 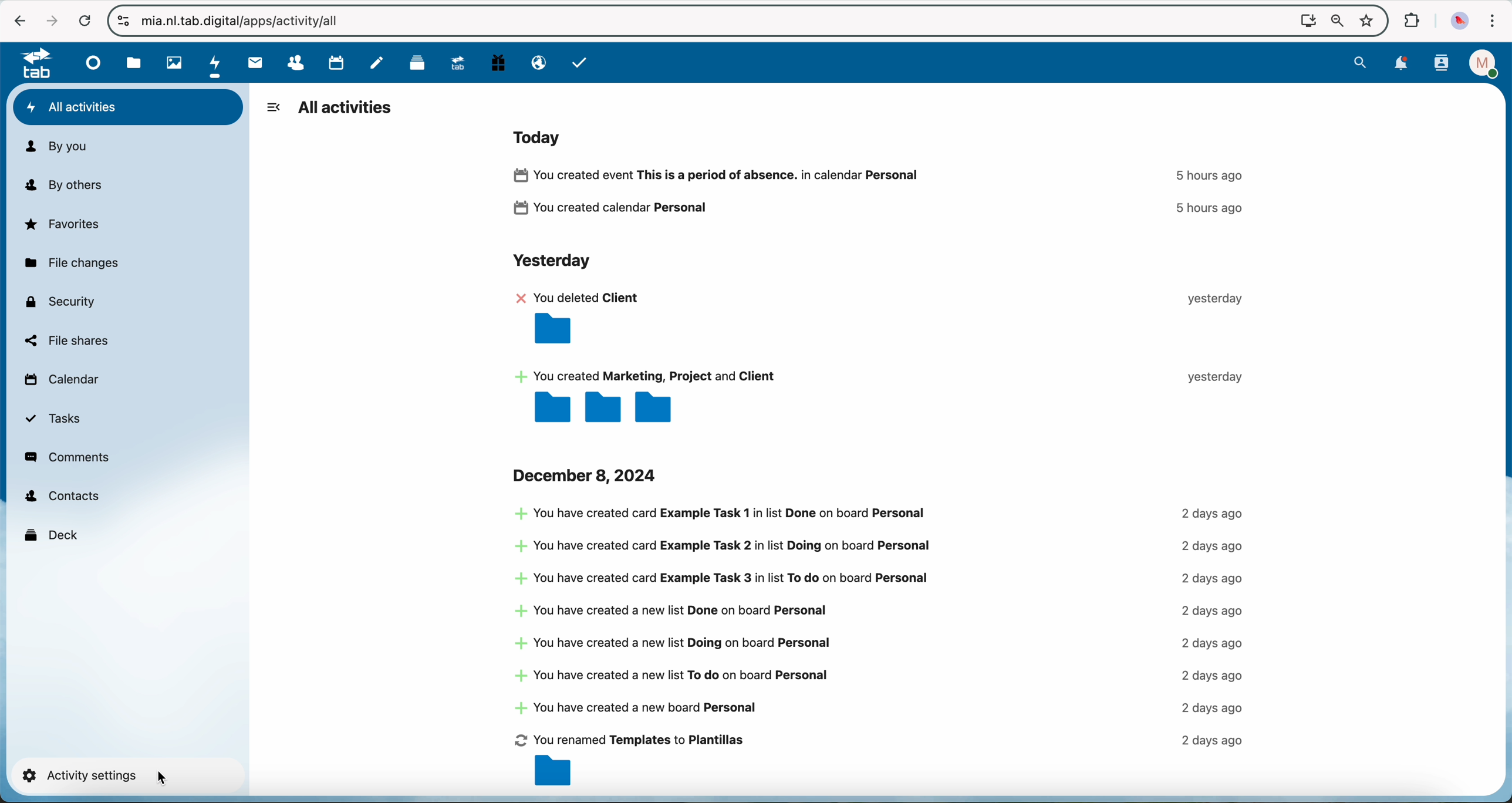 What do you see at coordinates (880, 648) in the screenshot?
I see `activity` at bounding box center [880, 648].